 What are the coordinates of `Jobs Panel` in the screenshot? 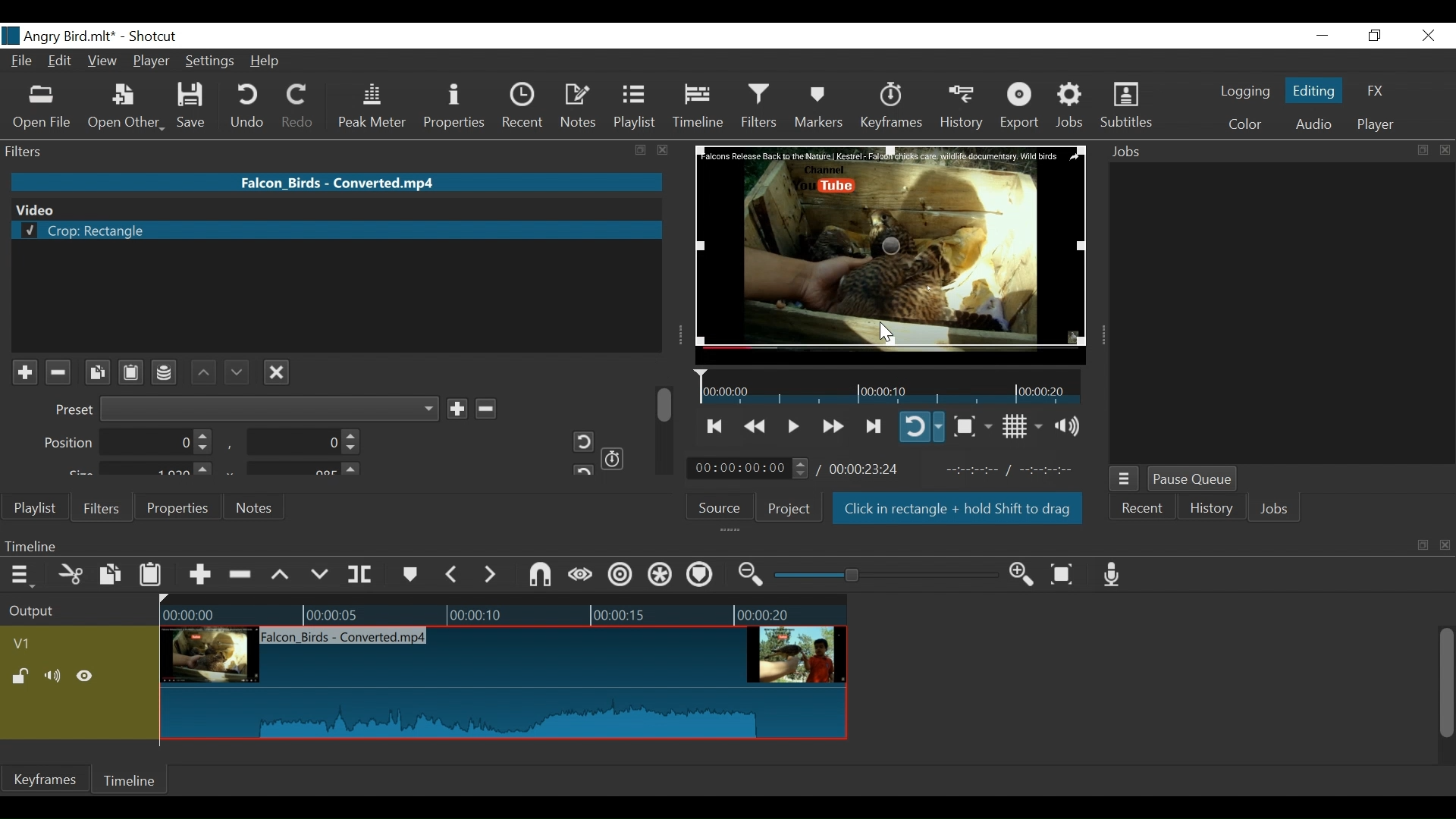 It's located at (1282, 312).